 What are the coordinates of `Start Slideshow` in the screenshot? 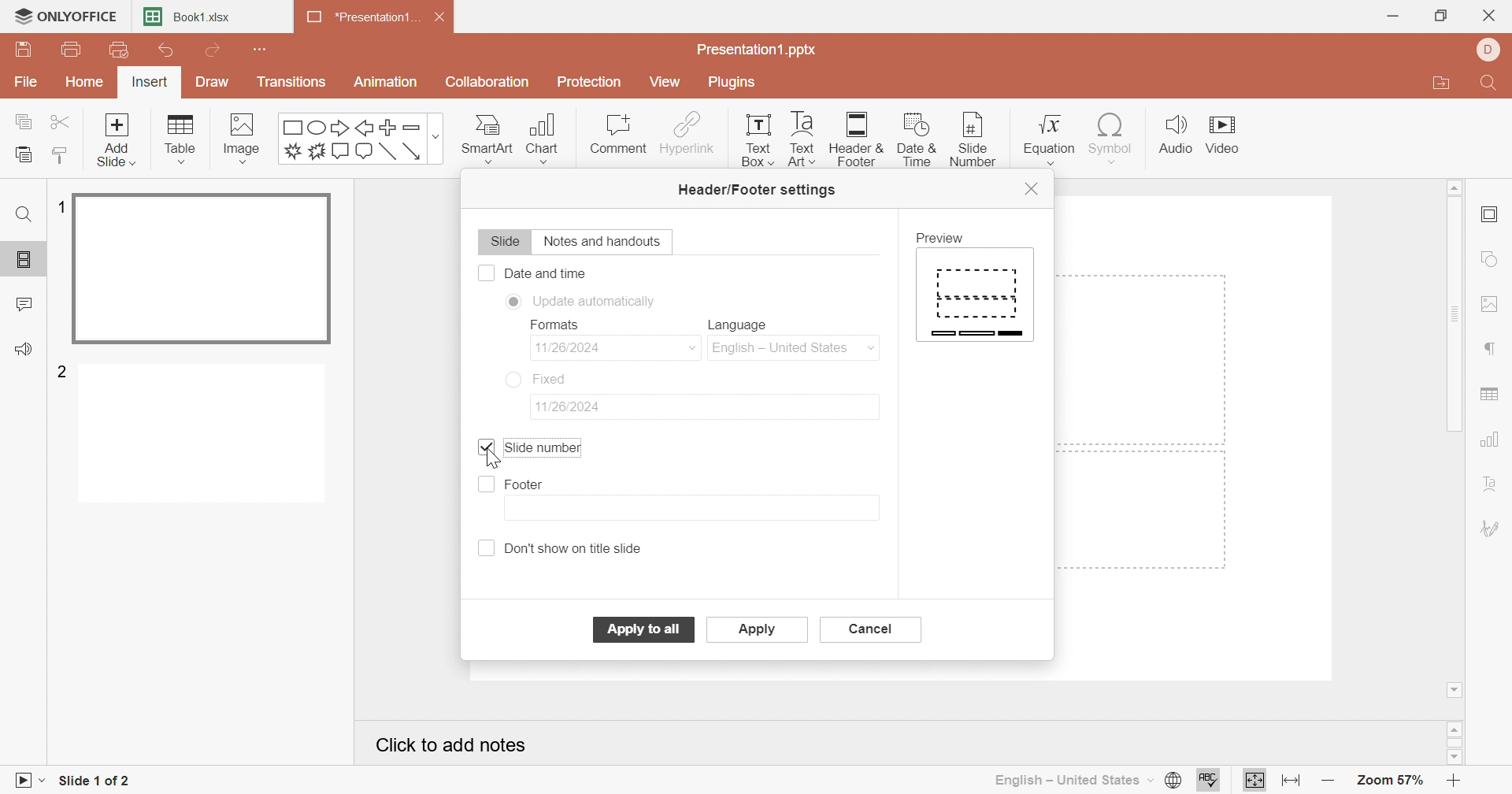 It's located at (28, 778).